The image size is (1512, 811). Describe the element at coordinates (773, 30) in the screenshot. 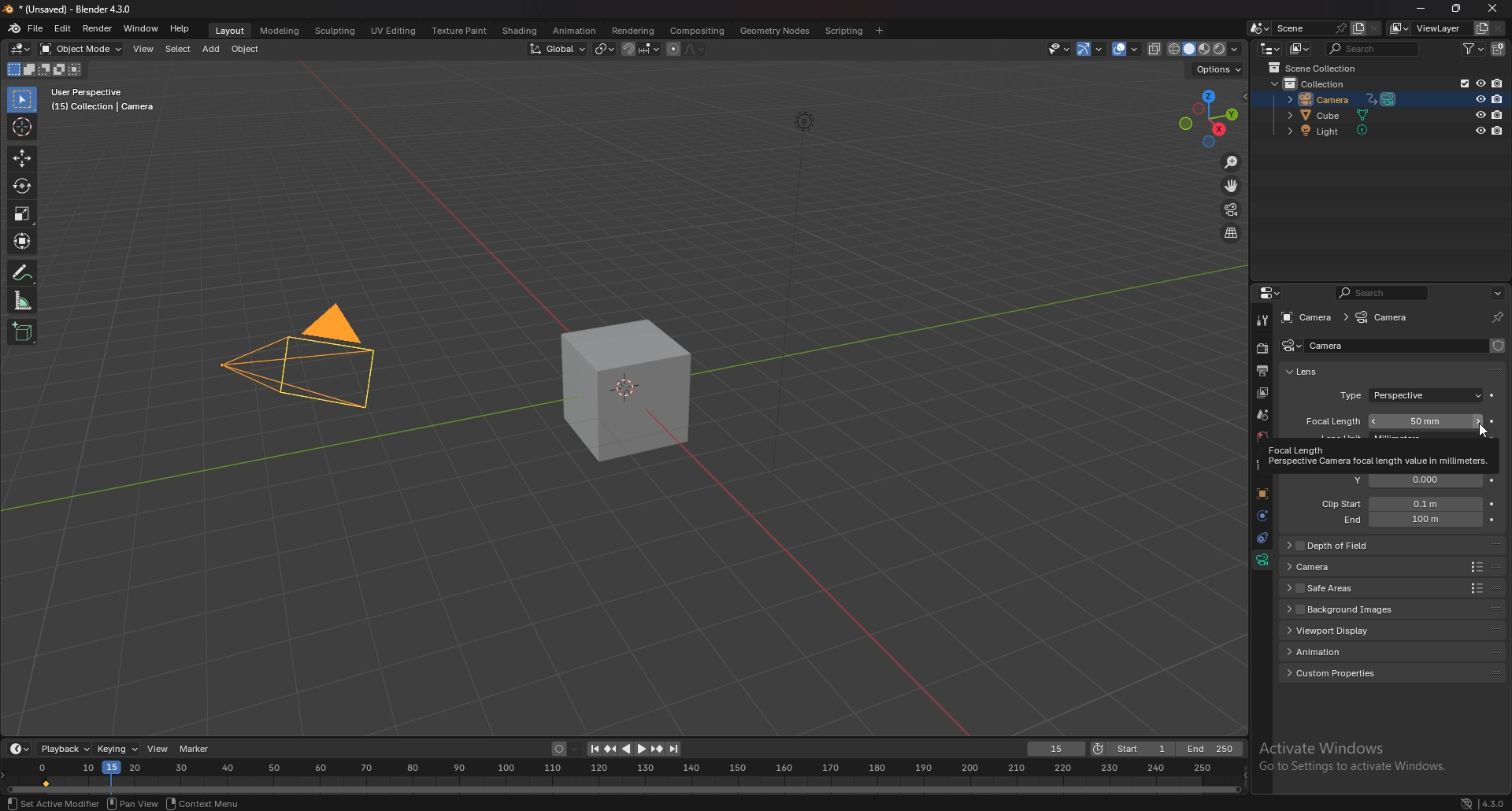

I see `geometry nodes` at that location.